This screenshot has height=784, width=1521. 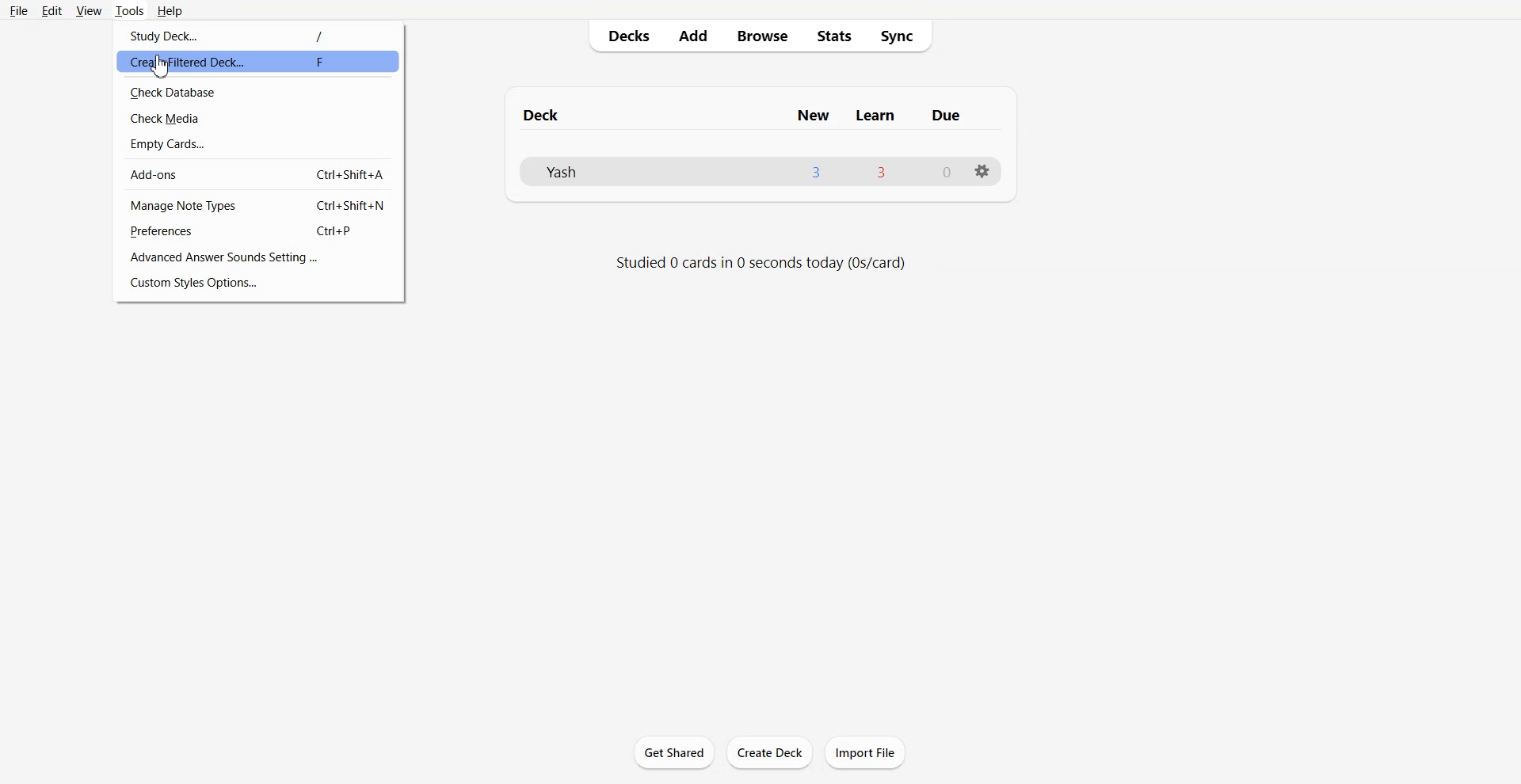 What do you see at coordinates (762, 36) in the screenshot?
I see `Browse` at bounding box center [762, 36].